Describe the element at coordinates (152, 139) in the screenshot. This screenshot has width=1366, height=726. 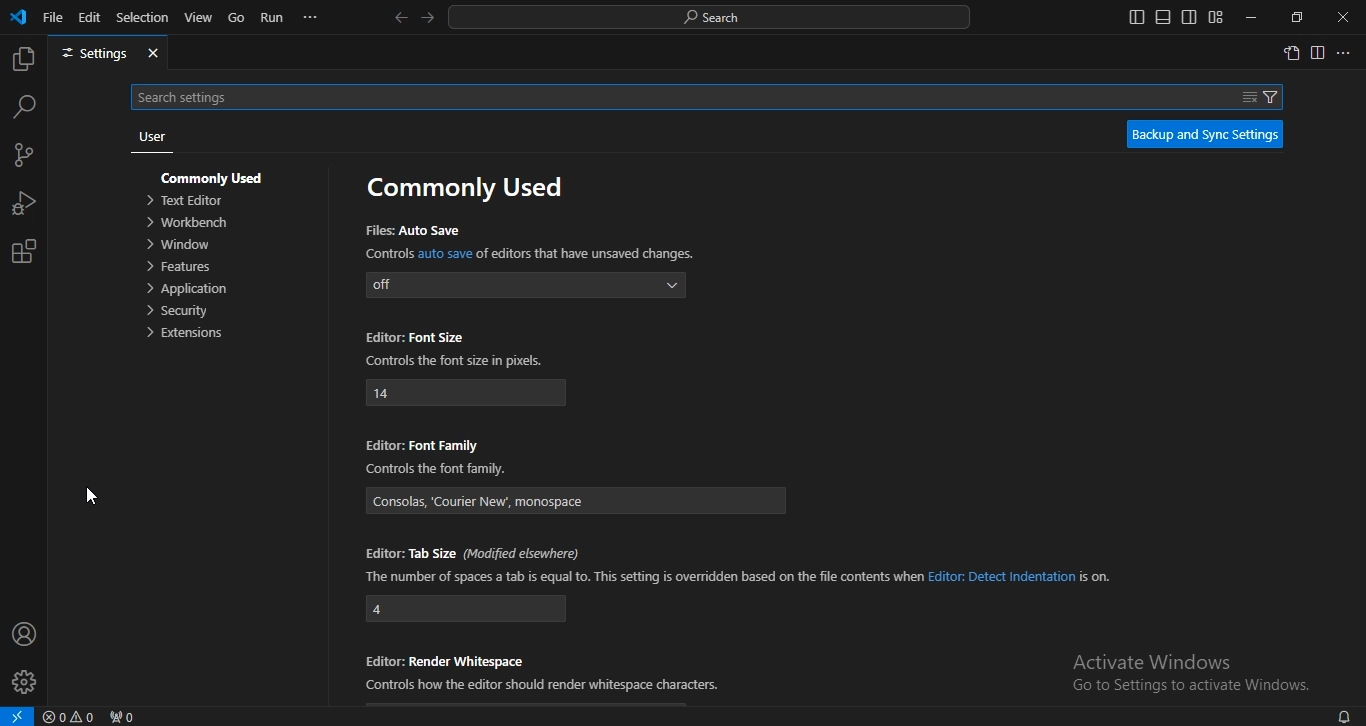
I see `user` at that location.